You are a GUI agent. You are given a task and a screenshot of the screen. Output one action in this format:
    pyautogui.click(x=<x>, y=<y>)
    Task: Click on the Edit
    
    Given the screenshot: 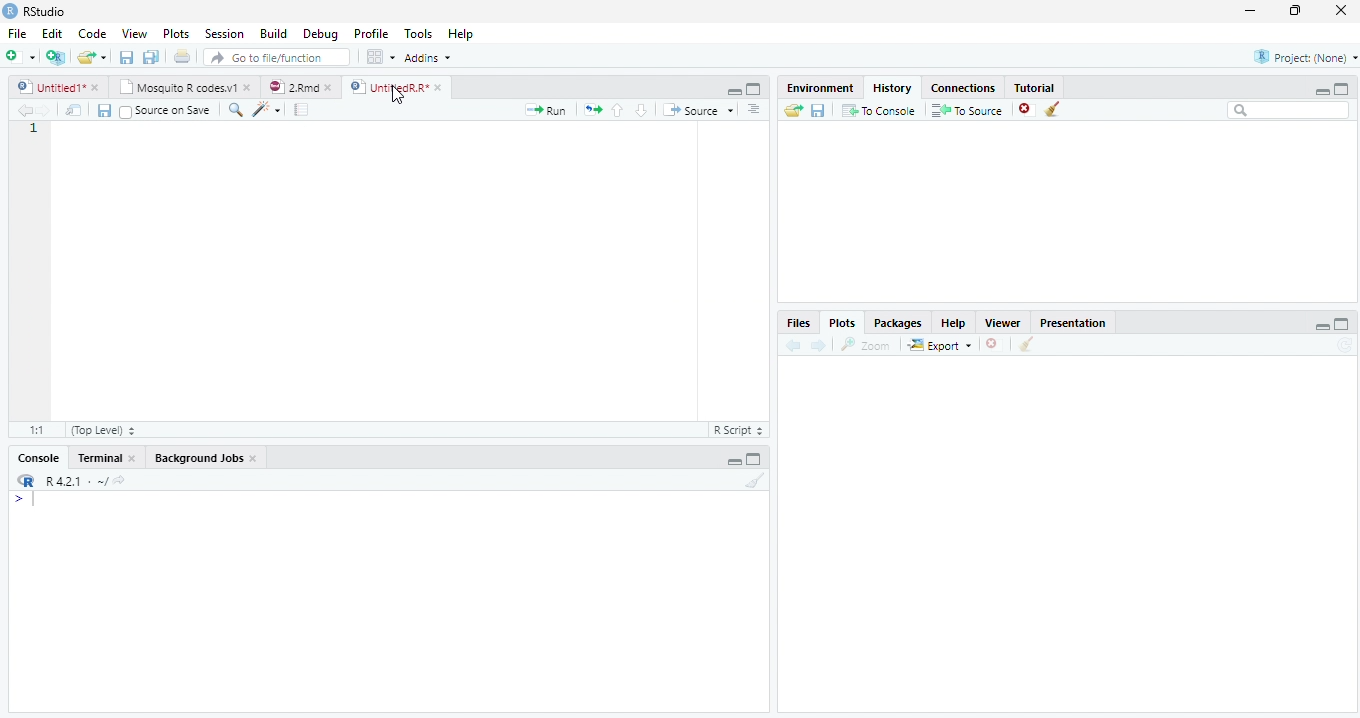 What is the action you would take?
    pyautogui.click(x=52, y=35)
    